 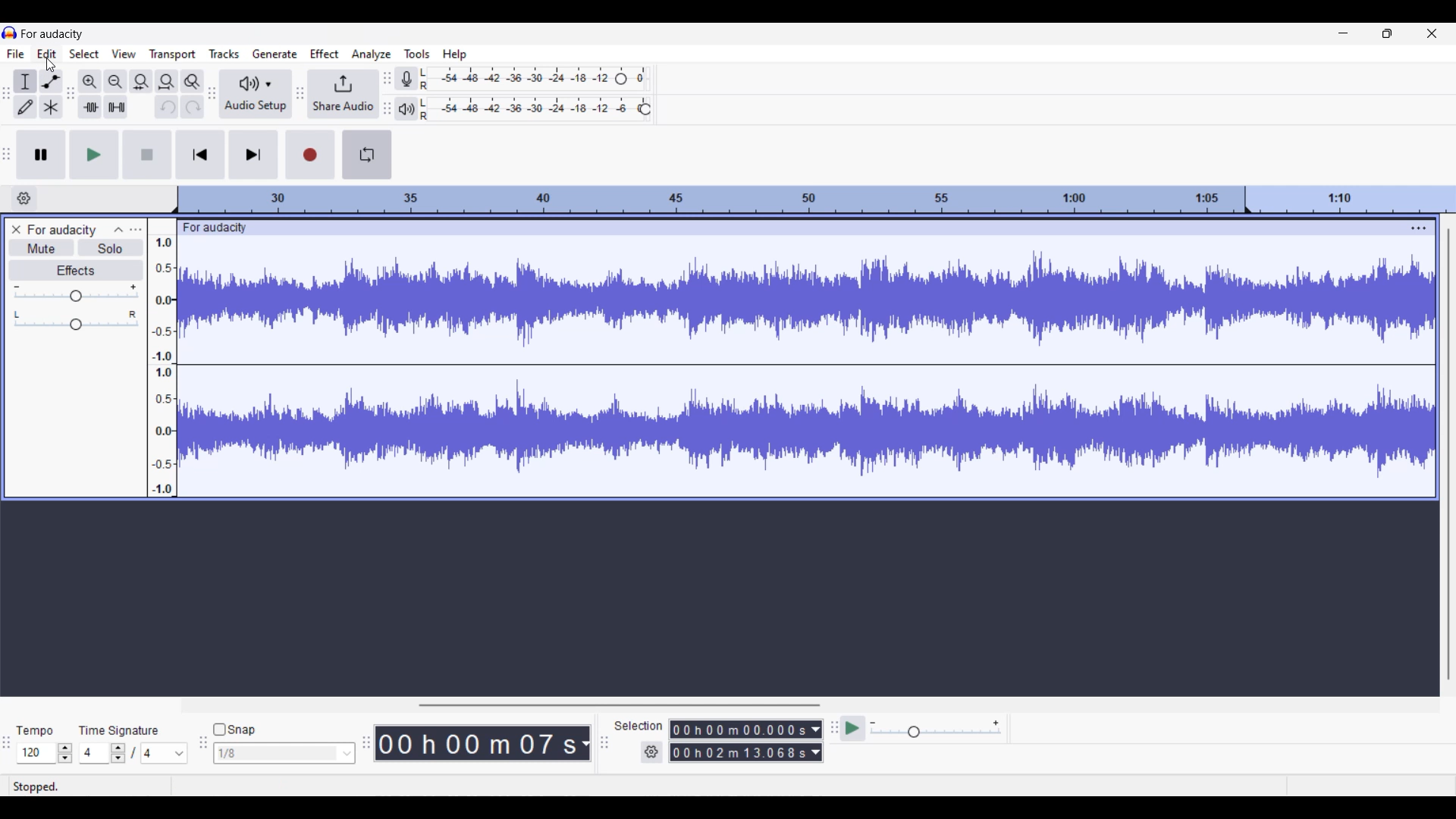 I want to click on 120, so click(x=45, y=753).